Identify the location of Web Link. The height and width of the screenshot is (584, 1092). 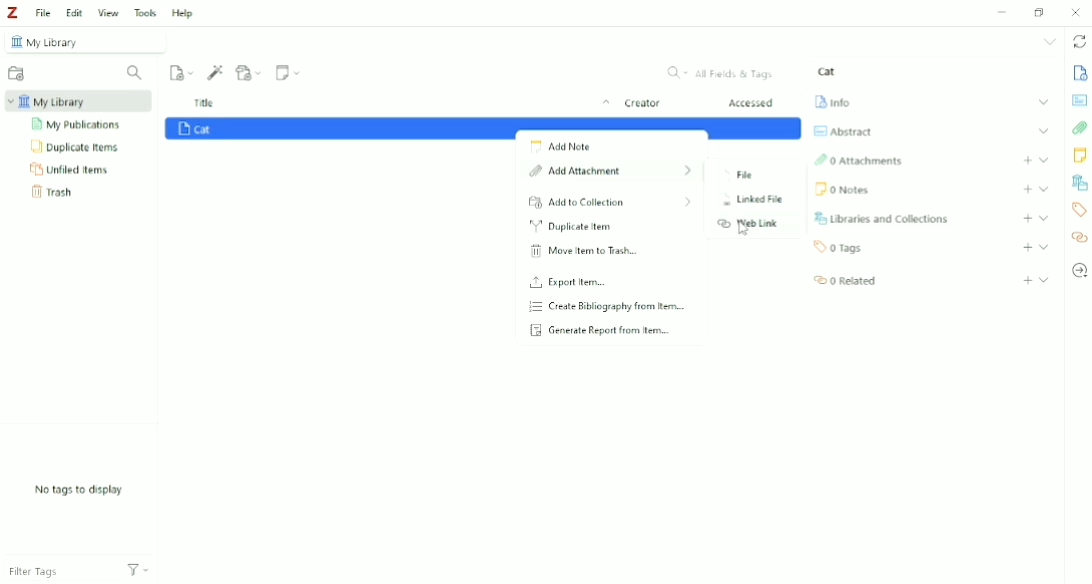
(748, 224).